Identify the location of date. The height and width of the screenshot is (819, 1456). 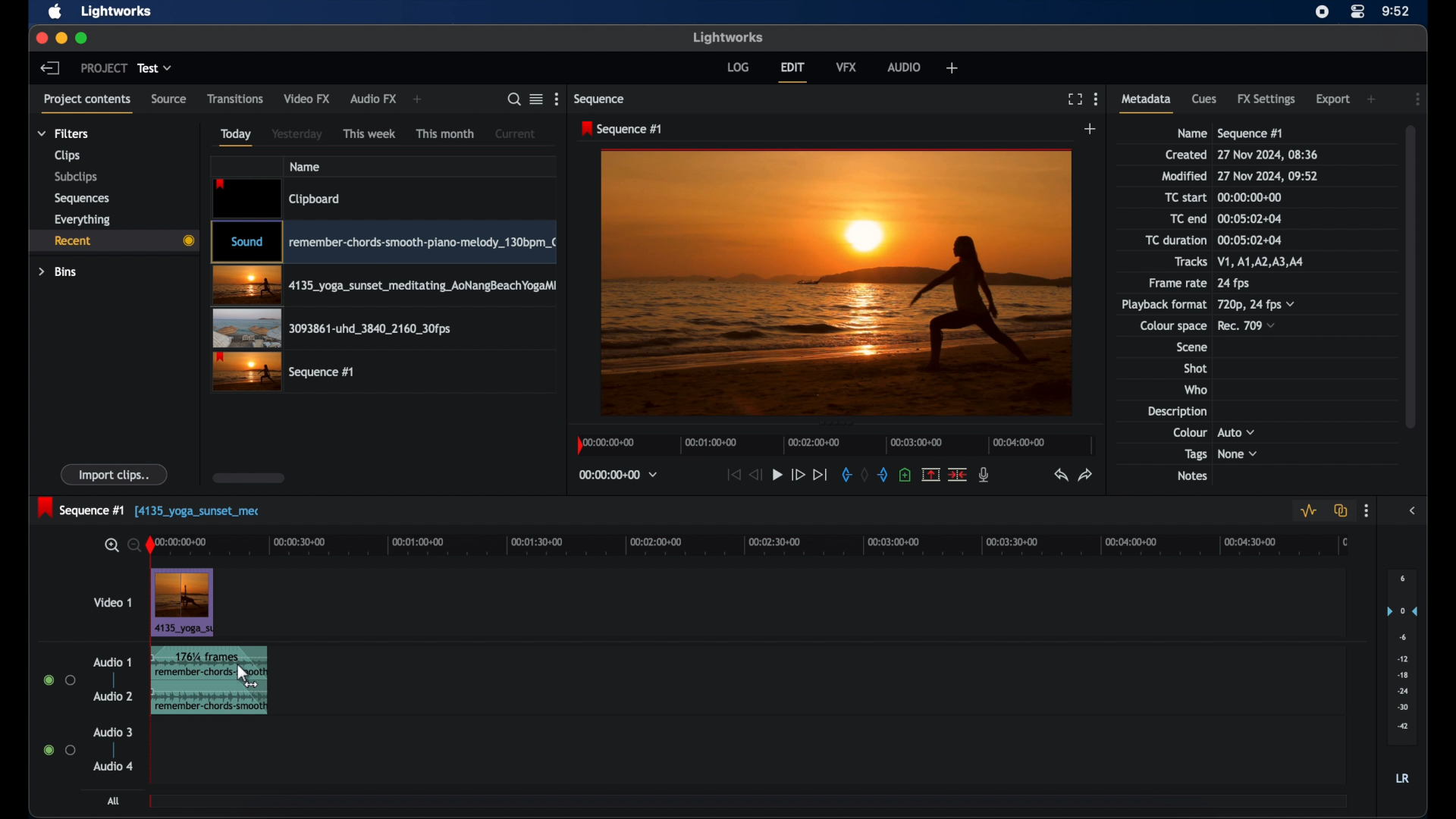
(1269, 155).